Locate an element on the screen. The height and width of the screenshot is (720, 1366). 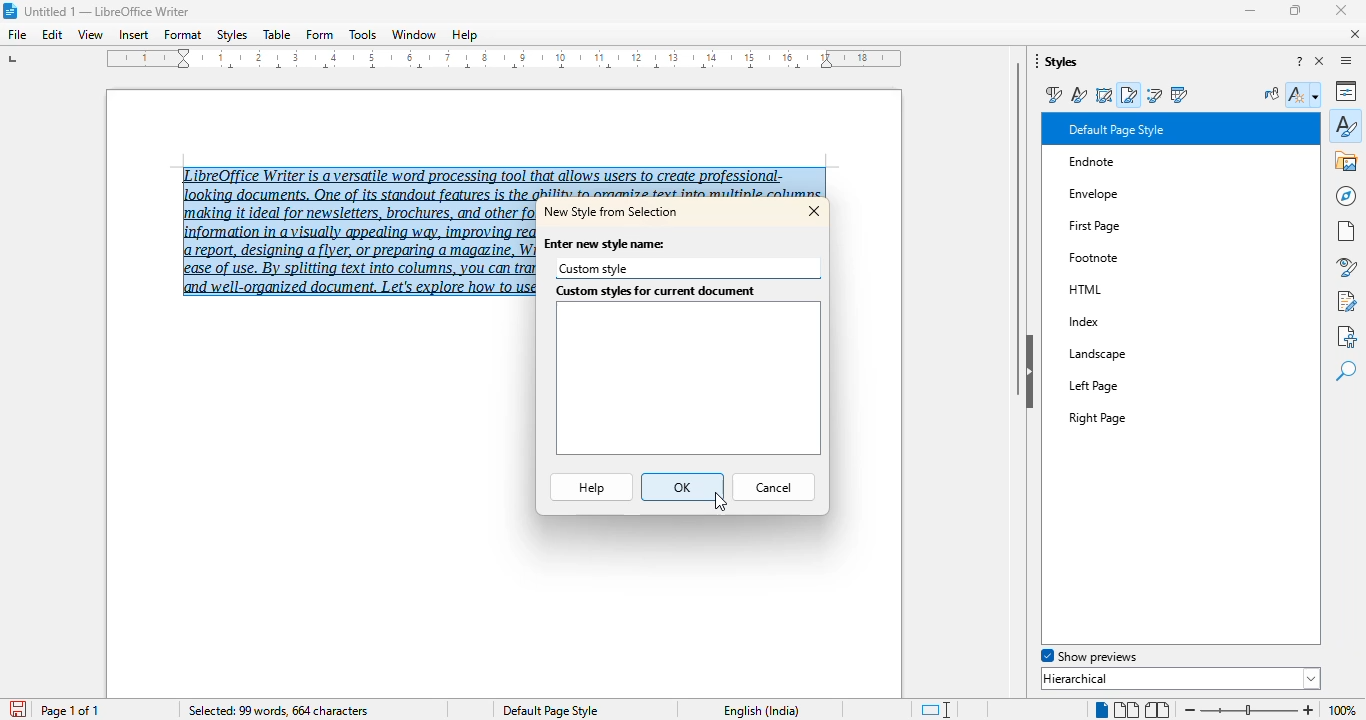
insert is located at coordinates (133, 35).